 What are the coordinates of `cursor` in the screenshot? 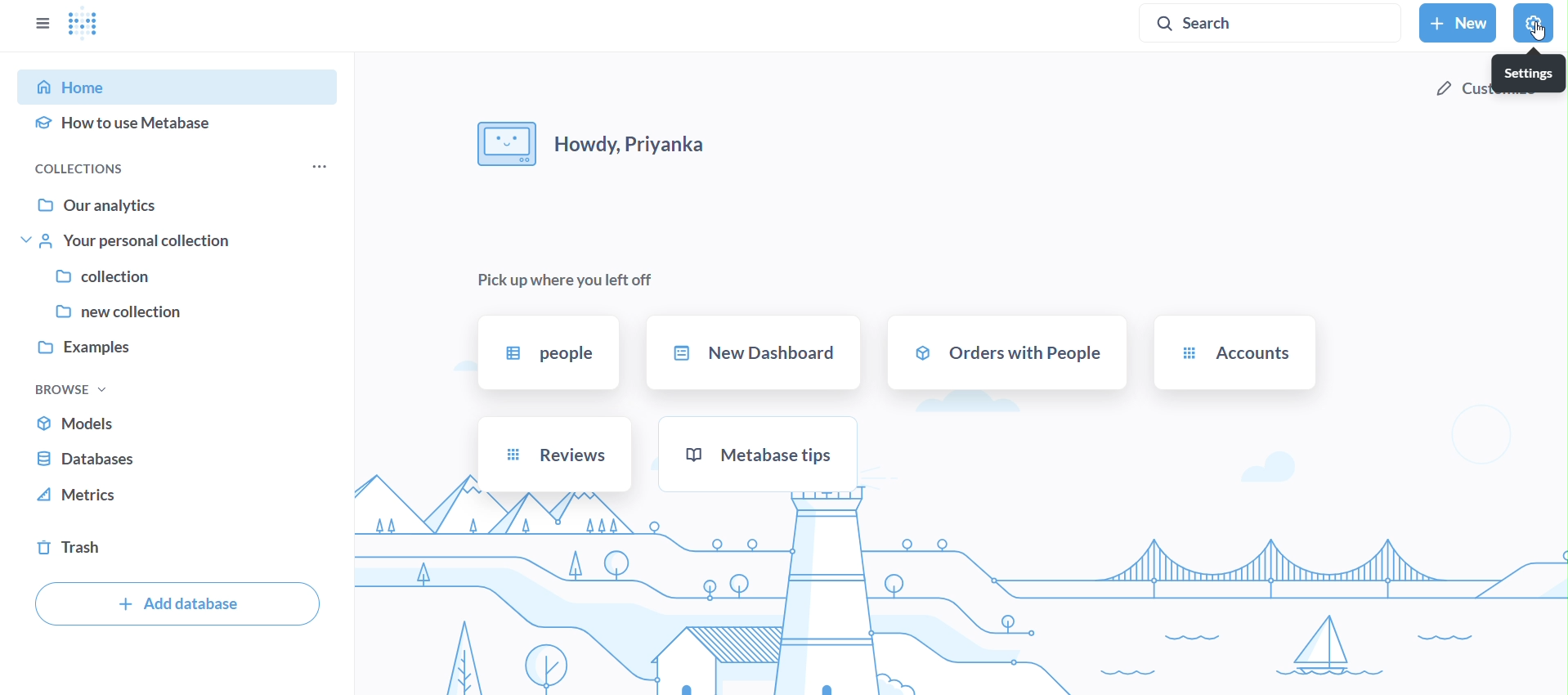 It's located at (1540, 33).